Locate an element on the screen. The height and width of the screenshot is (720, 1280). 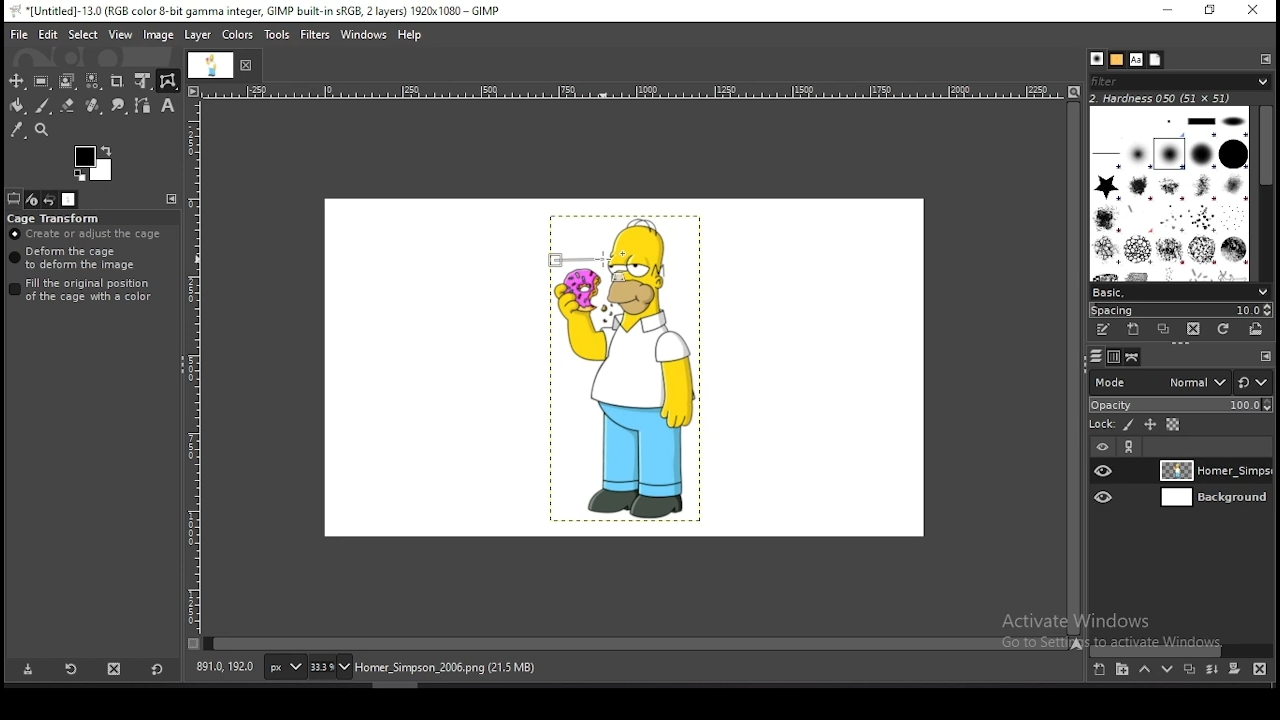
units is located at coordinates (283, 668).